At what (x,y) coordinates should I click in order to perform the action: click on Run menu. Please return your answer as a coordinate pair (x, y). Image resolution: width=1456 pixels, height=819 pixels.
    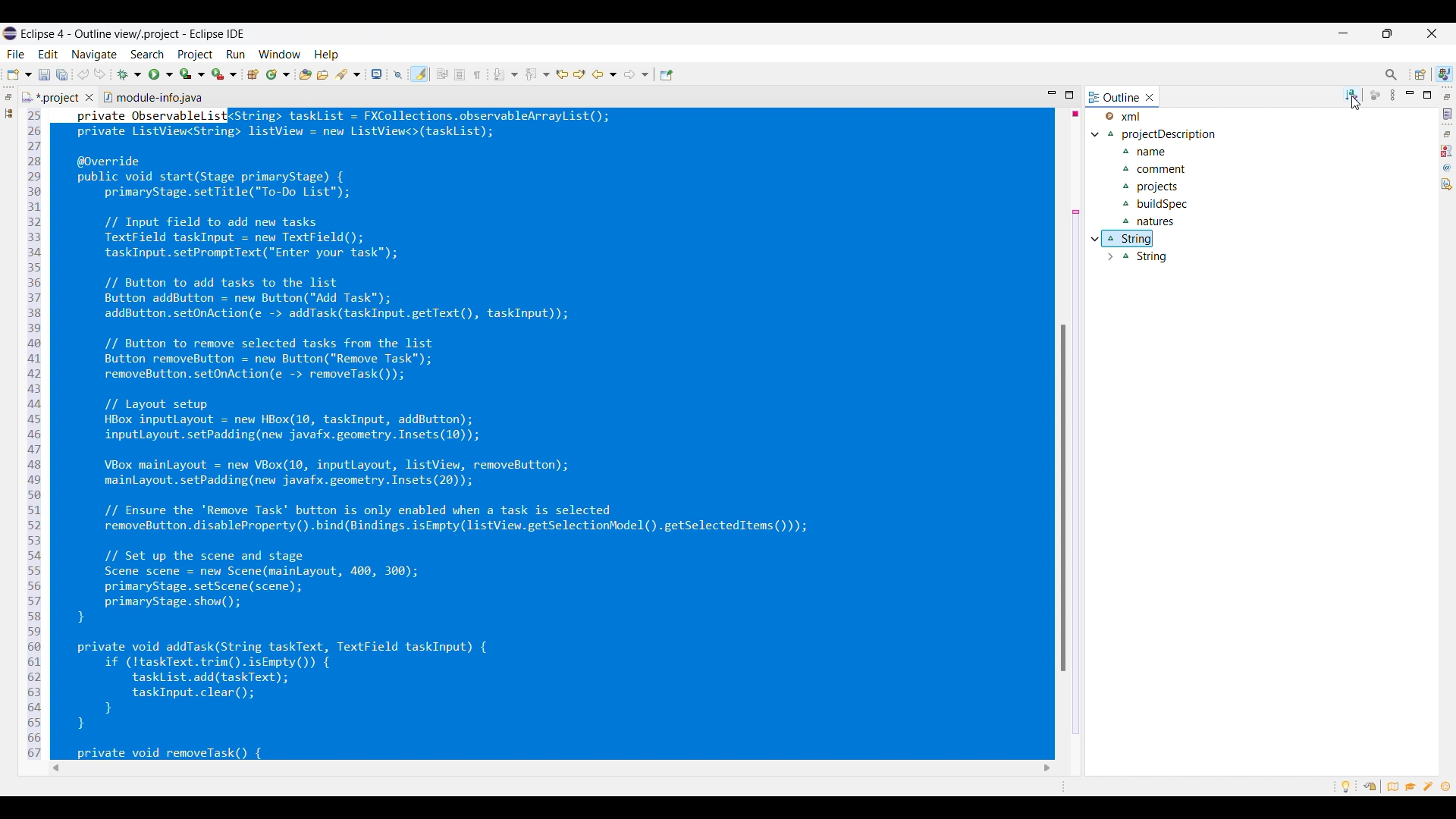
    Looking at the image, I should click on (236, 55).